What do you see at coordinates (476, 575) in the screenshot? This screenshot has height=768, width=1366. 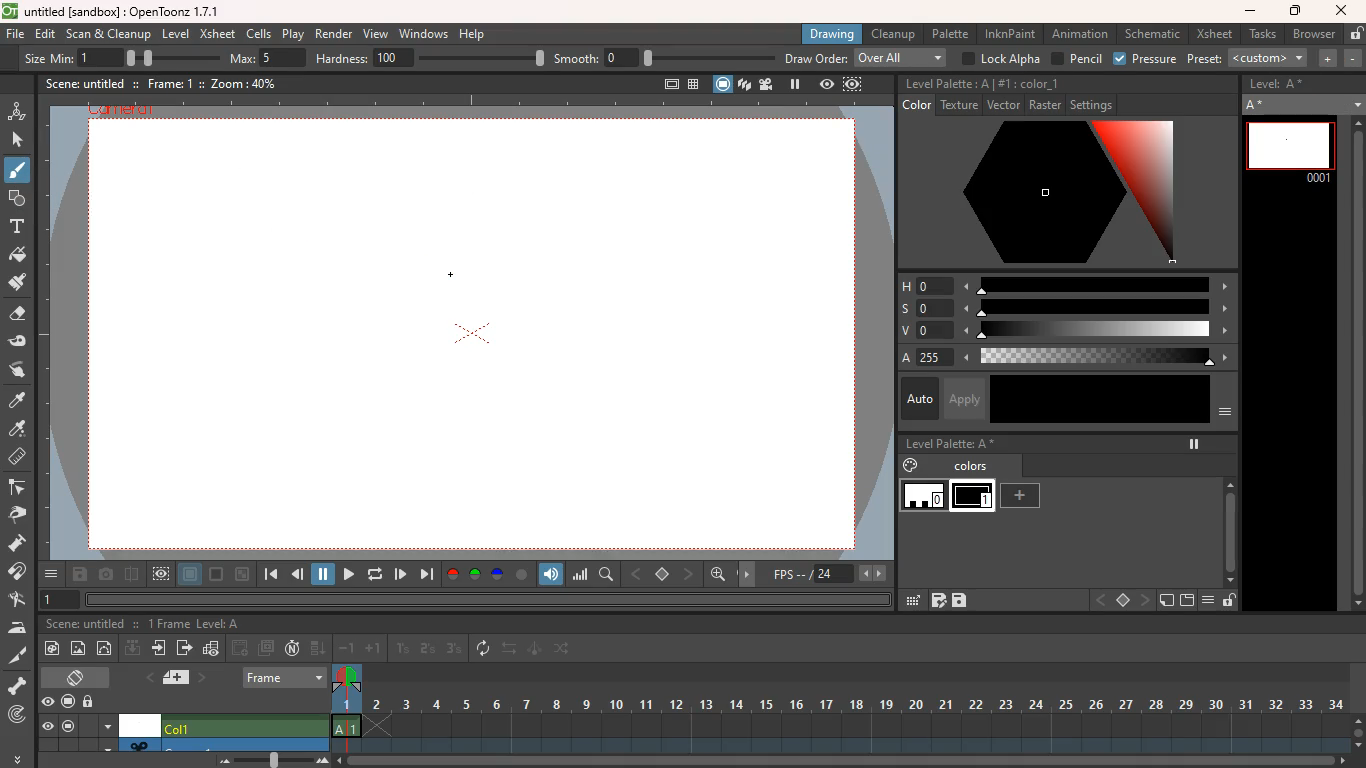 I see `green` at bounding box center [476, 575].